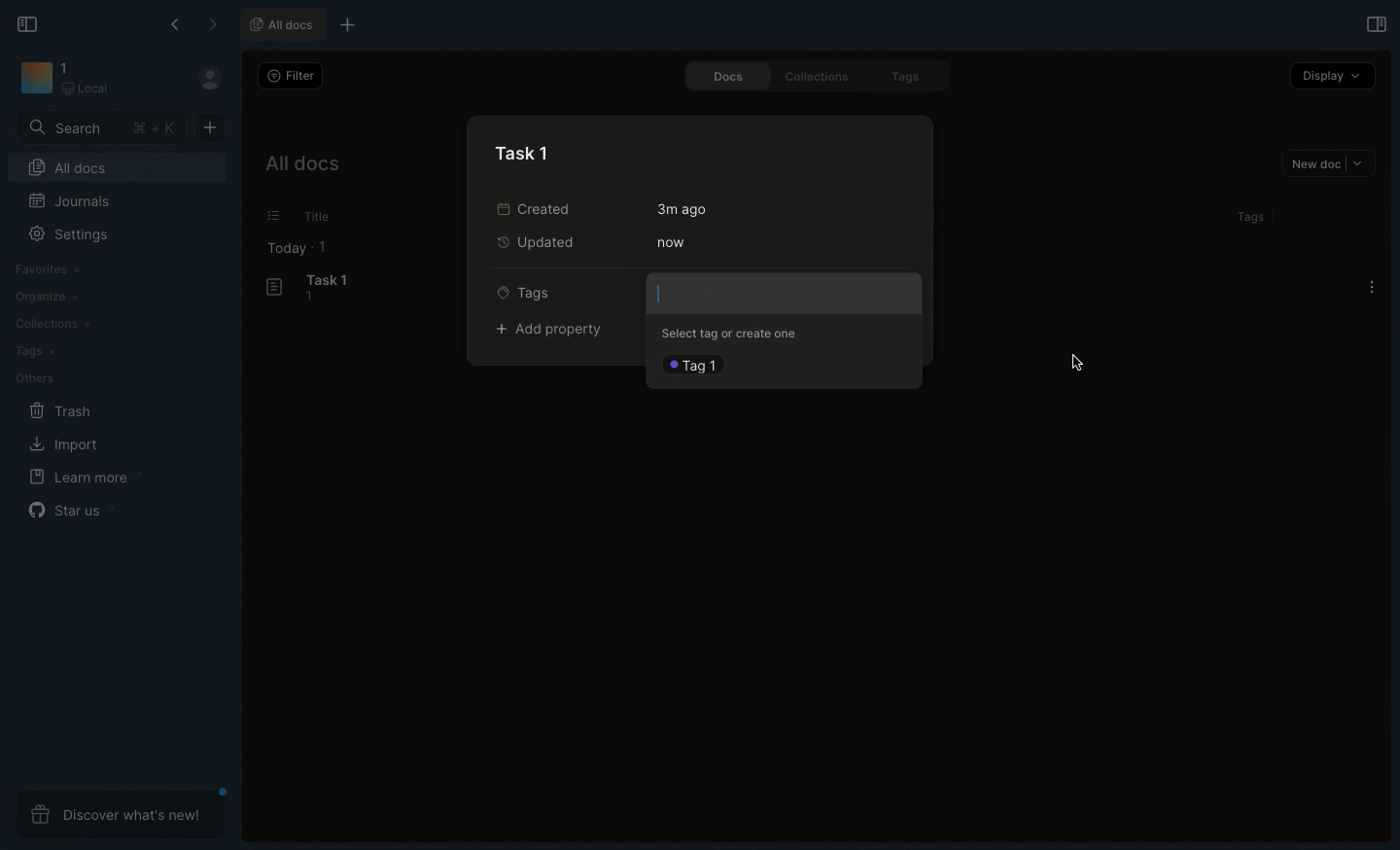  What do you see at coordinates (695, 361) in the screenshot?
I see `Tag 1` at bounding box center [695, 361].